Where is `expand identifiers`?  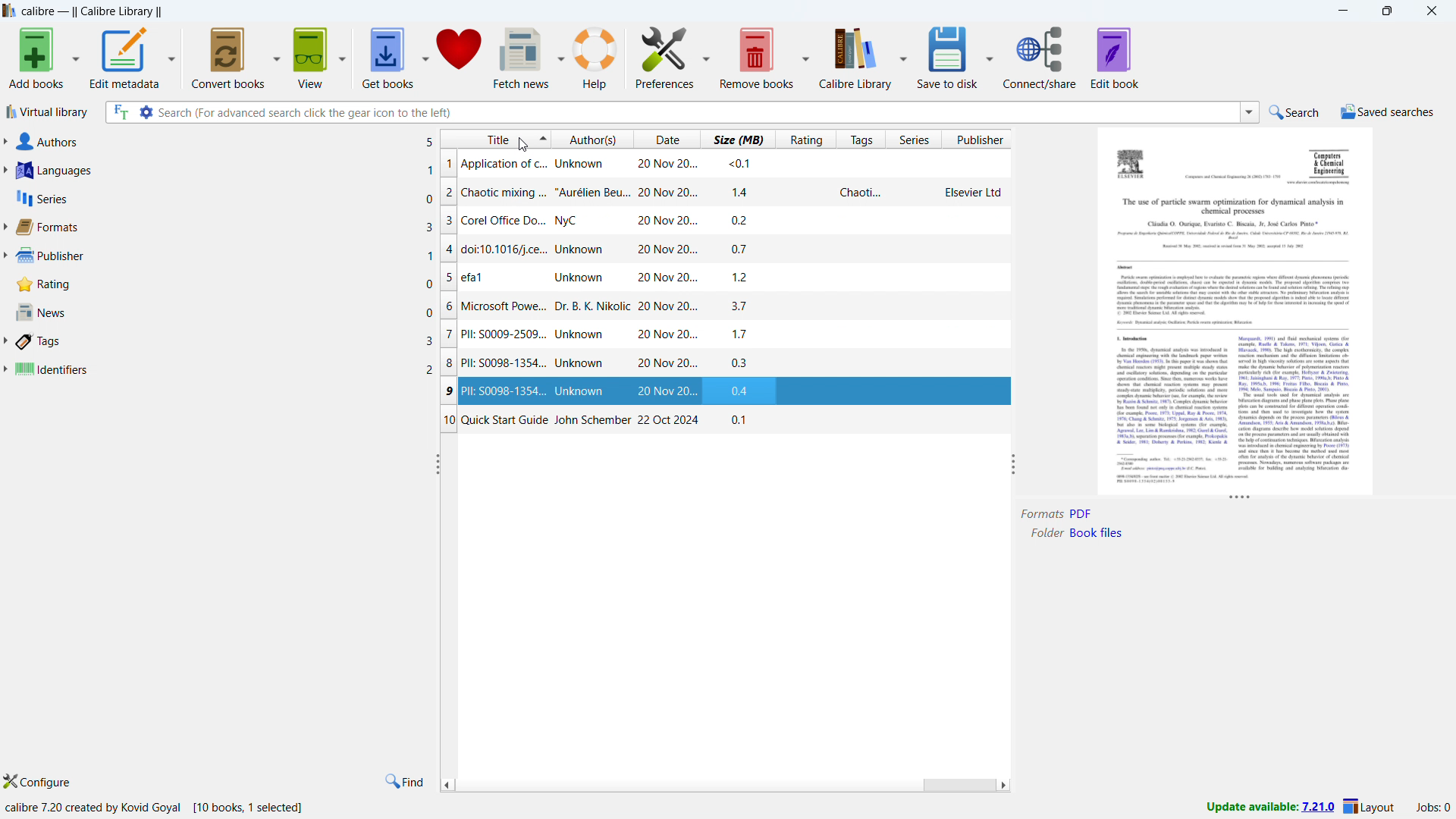
expand identifiers is located at coordinates (5, 370).